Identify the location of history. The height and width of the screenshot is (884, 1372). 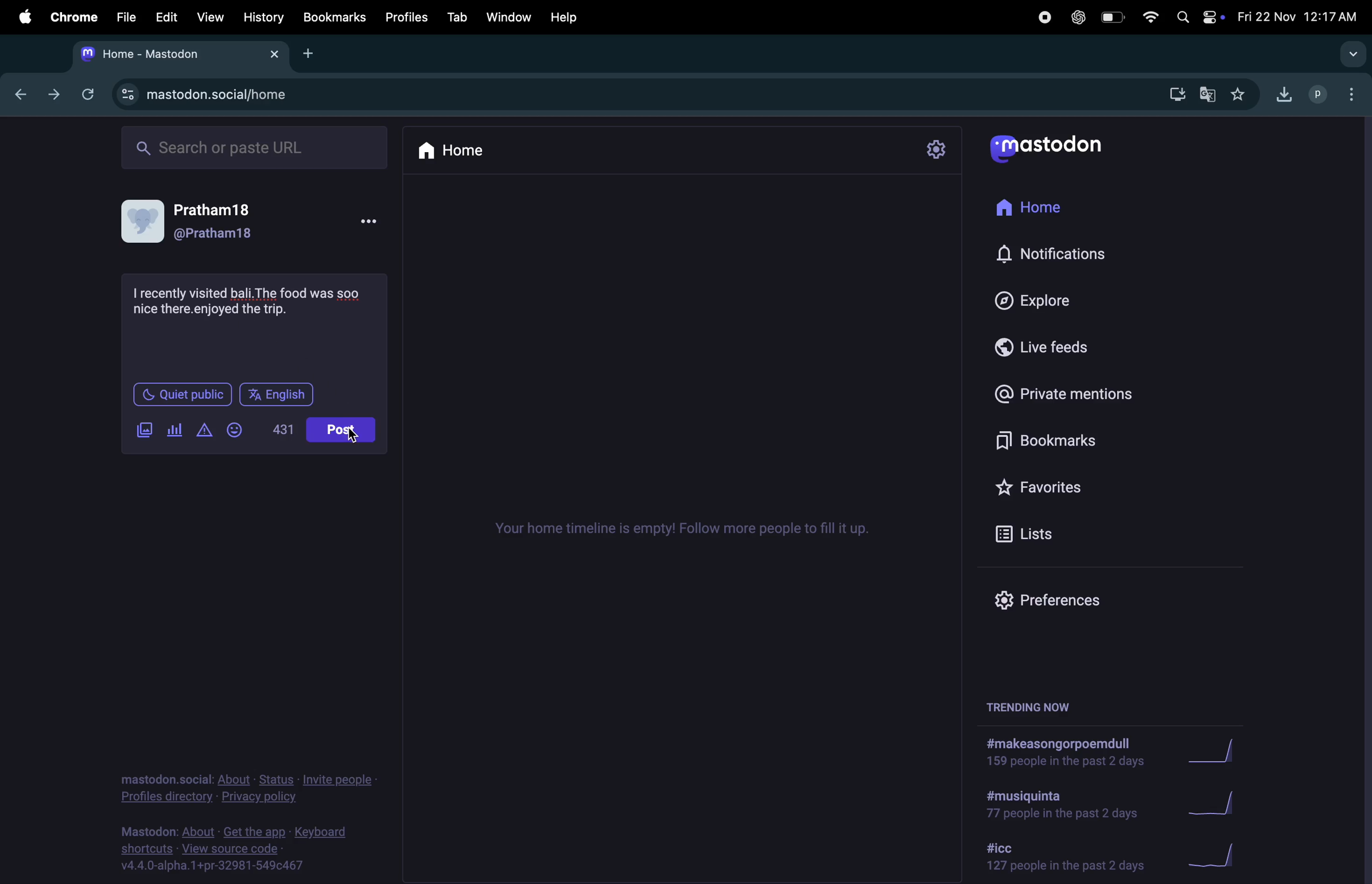
(265, 18).